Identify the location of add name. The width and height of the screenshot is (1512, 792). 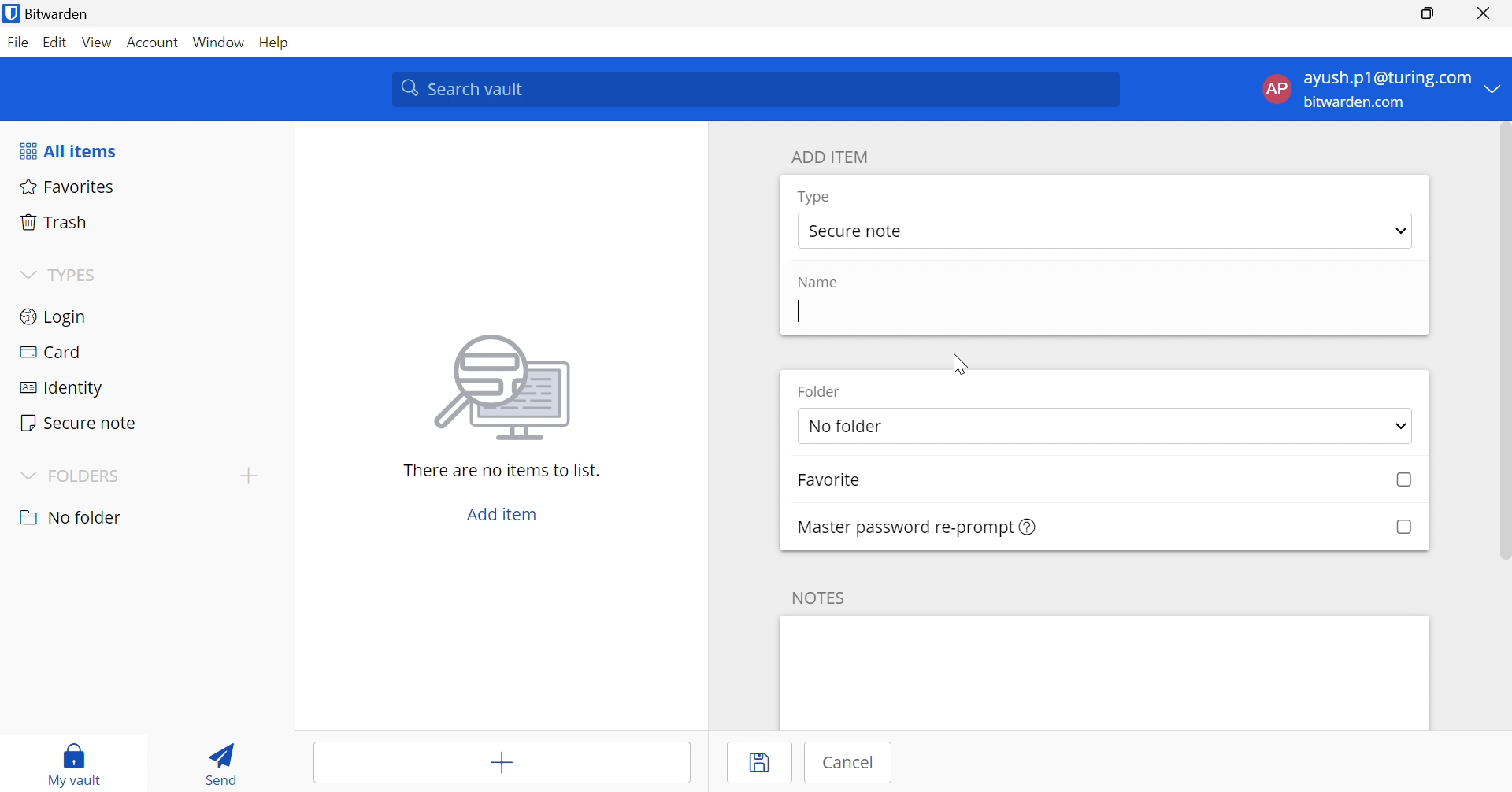
(1102, 315).